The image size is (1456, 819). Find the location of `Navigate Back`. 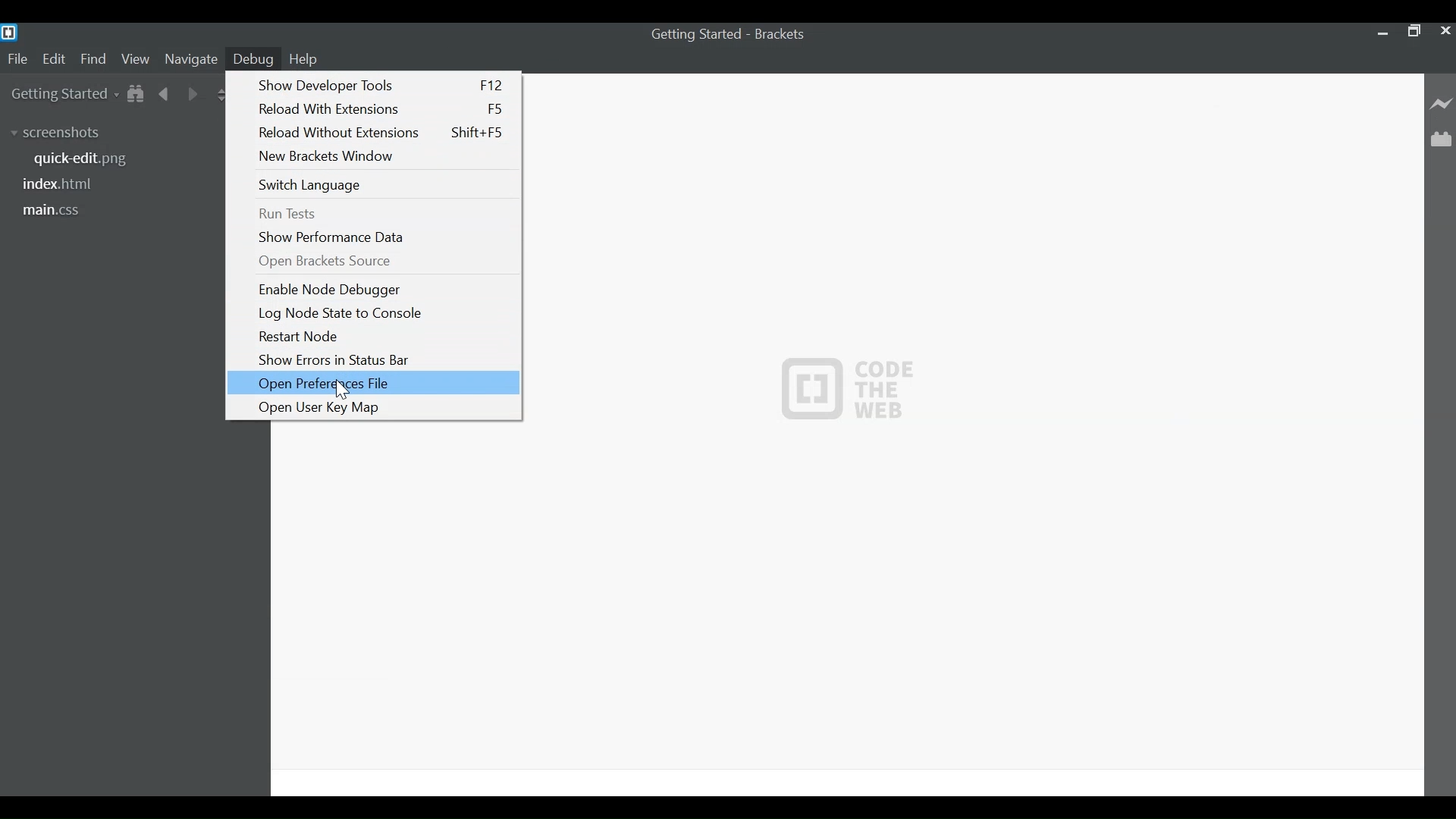

Navigate Back is located at coordinates (165, 93).